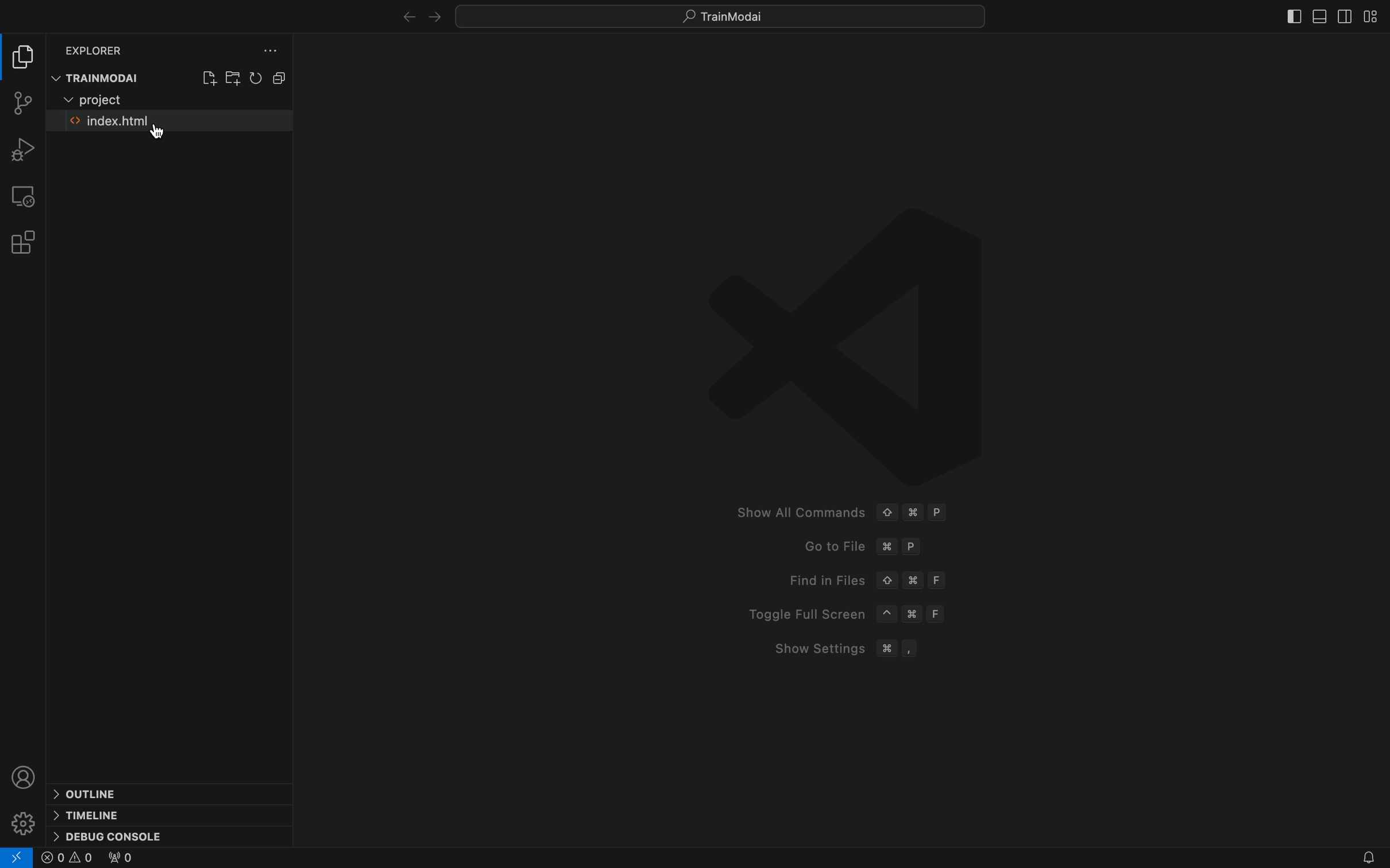 Image resolution: width=1390 pixels, height=868 pixels. I want to click on arrows, so click(404, 18).